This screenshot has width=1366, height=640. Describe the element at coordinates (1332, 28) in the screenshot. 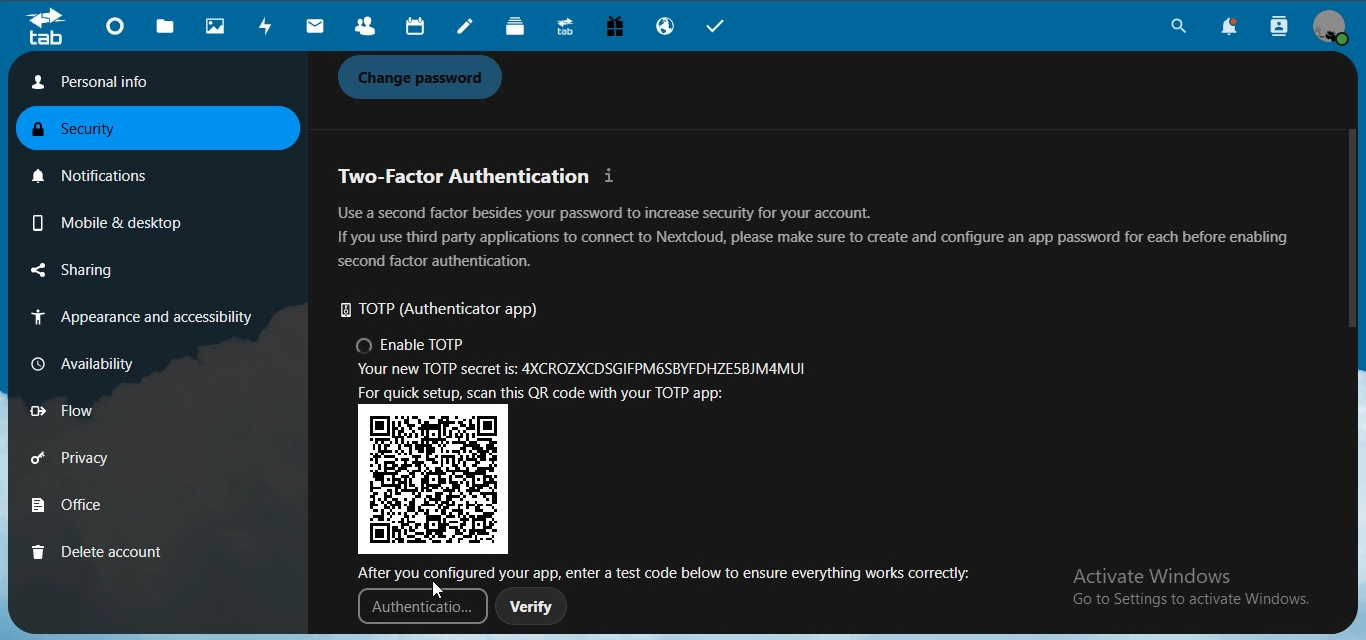

I see `manage profile` at that location.